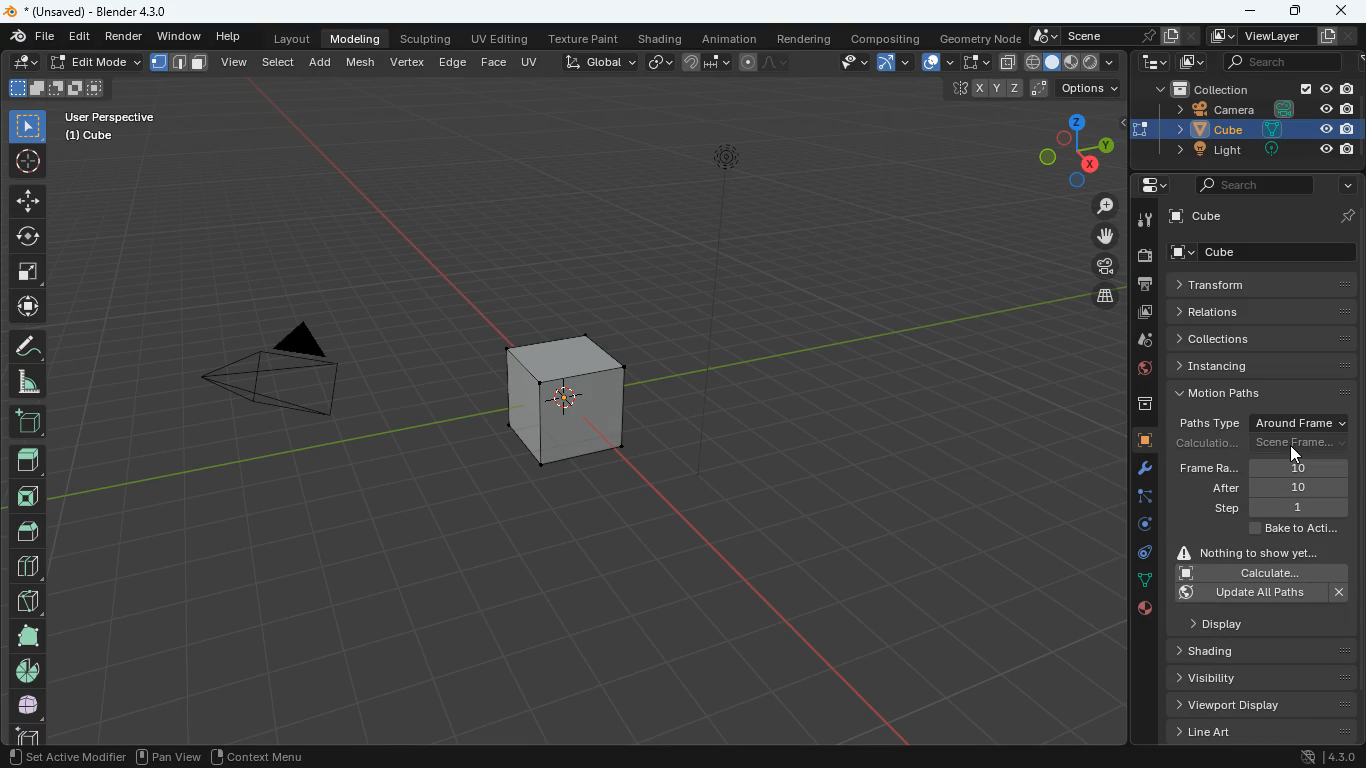 Image resolution: width=1366 pixels, height=768 pixels. Describe the element at coordinates (1109, 36) in the screenshot. I see `scene` at that location.